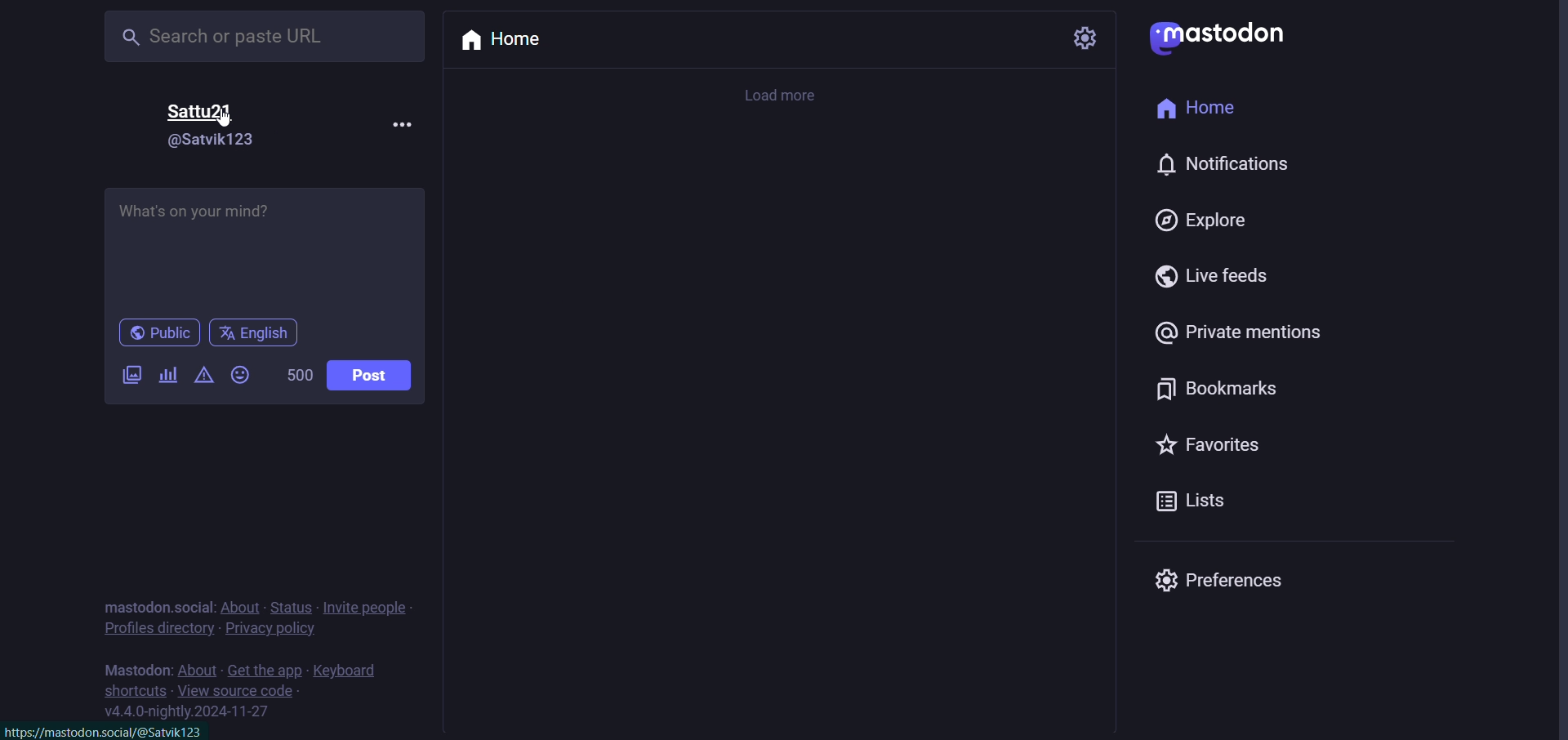 The image size is (1568, 740). I want to click on notifications, so click(1217, 163).